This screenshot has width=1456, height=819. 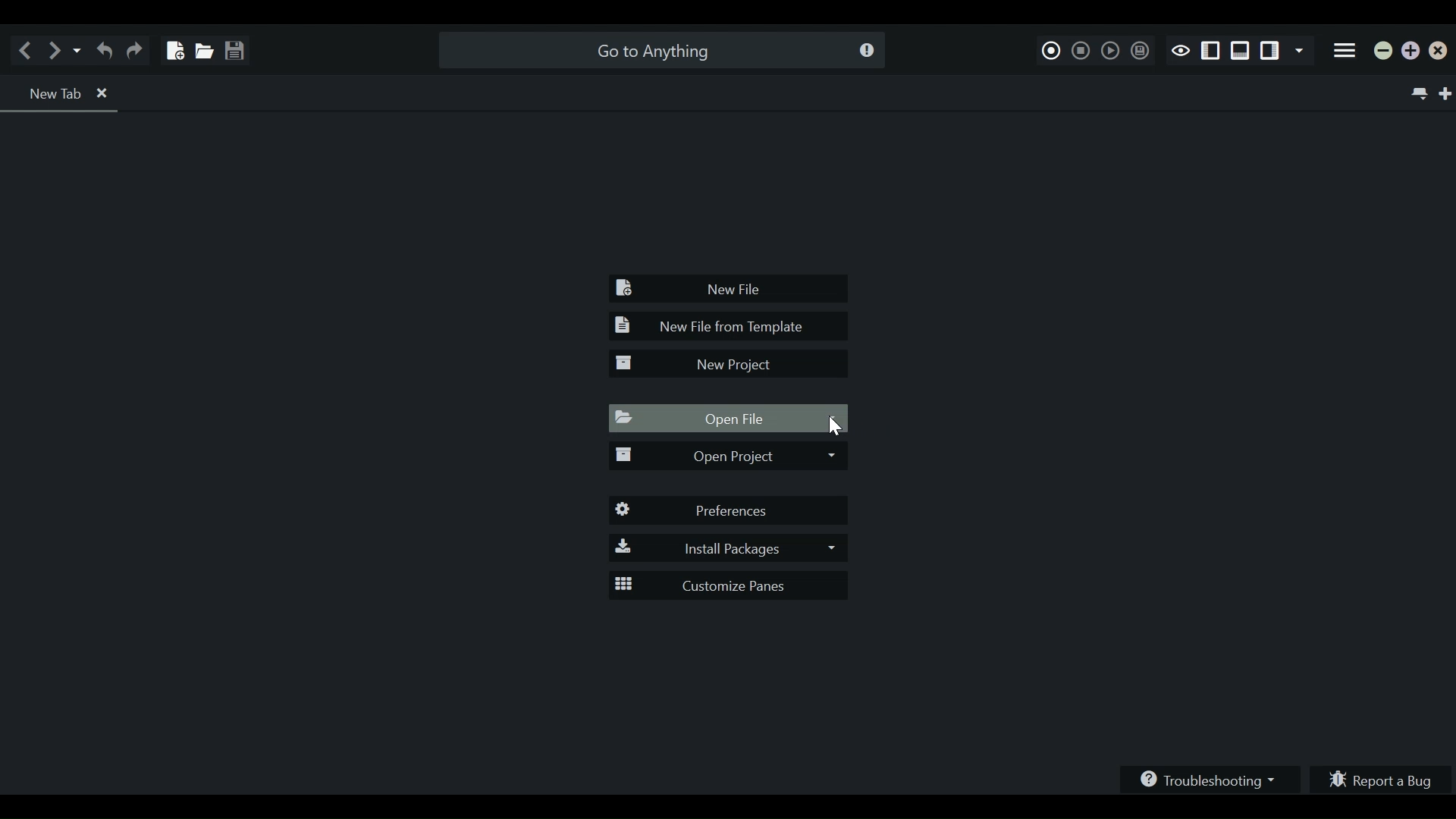 I want to click on New File from Template, so click(x=726, y=327).